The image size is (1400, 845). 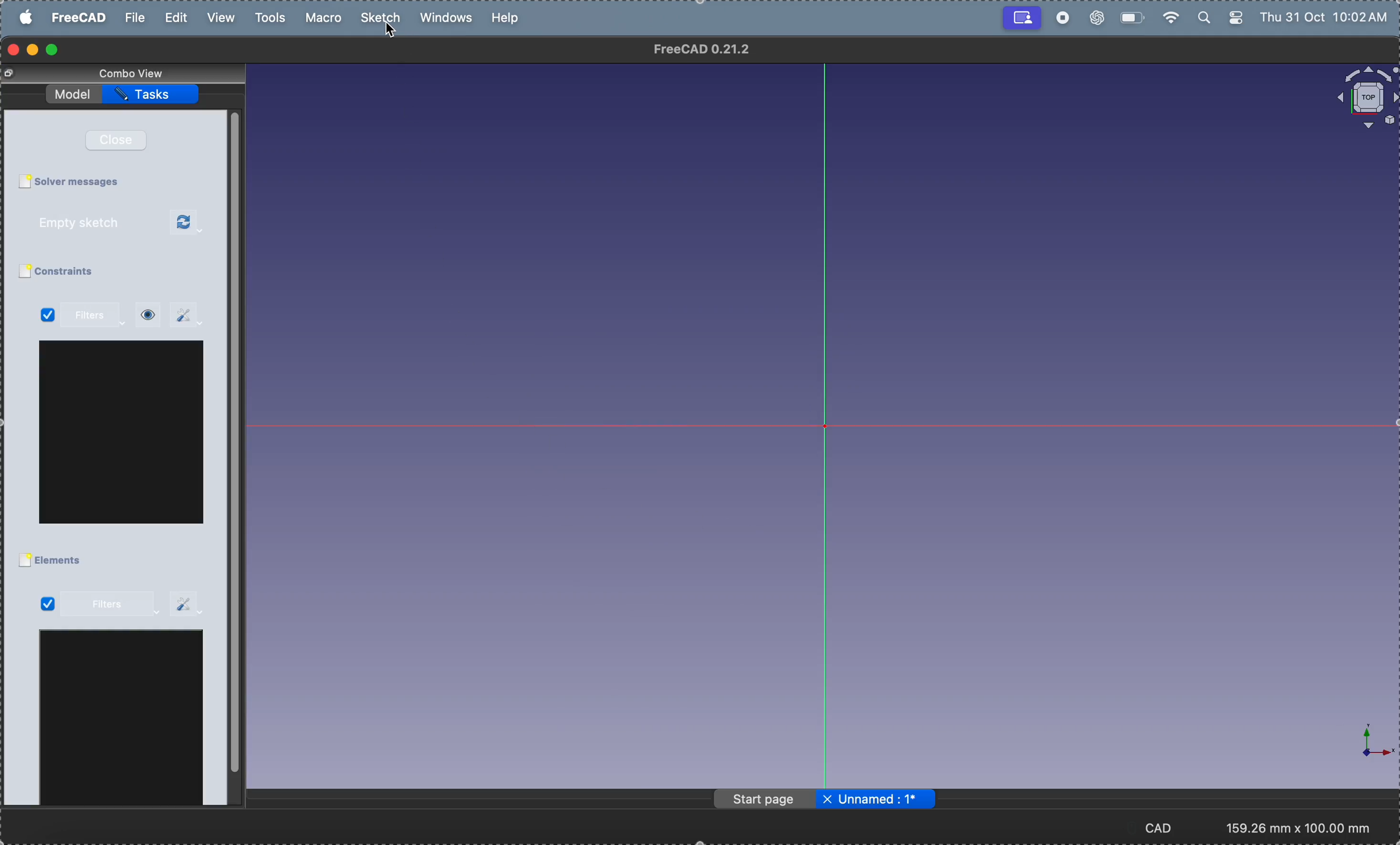 What do you see at coordinates (450, 19) in the screenshot?
I see `windows` at bounding box center [450, 19].